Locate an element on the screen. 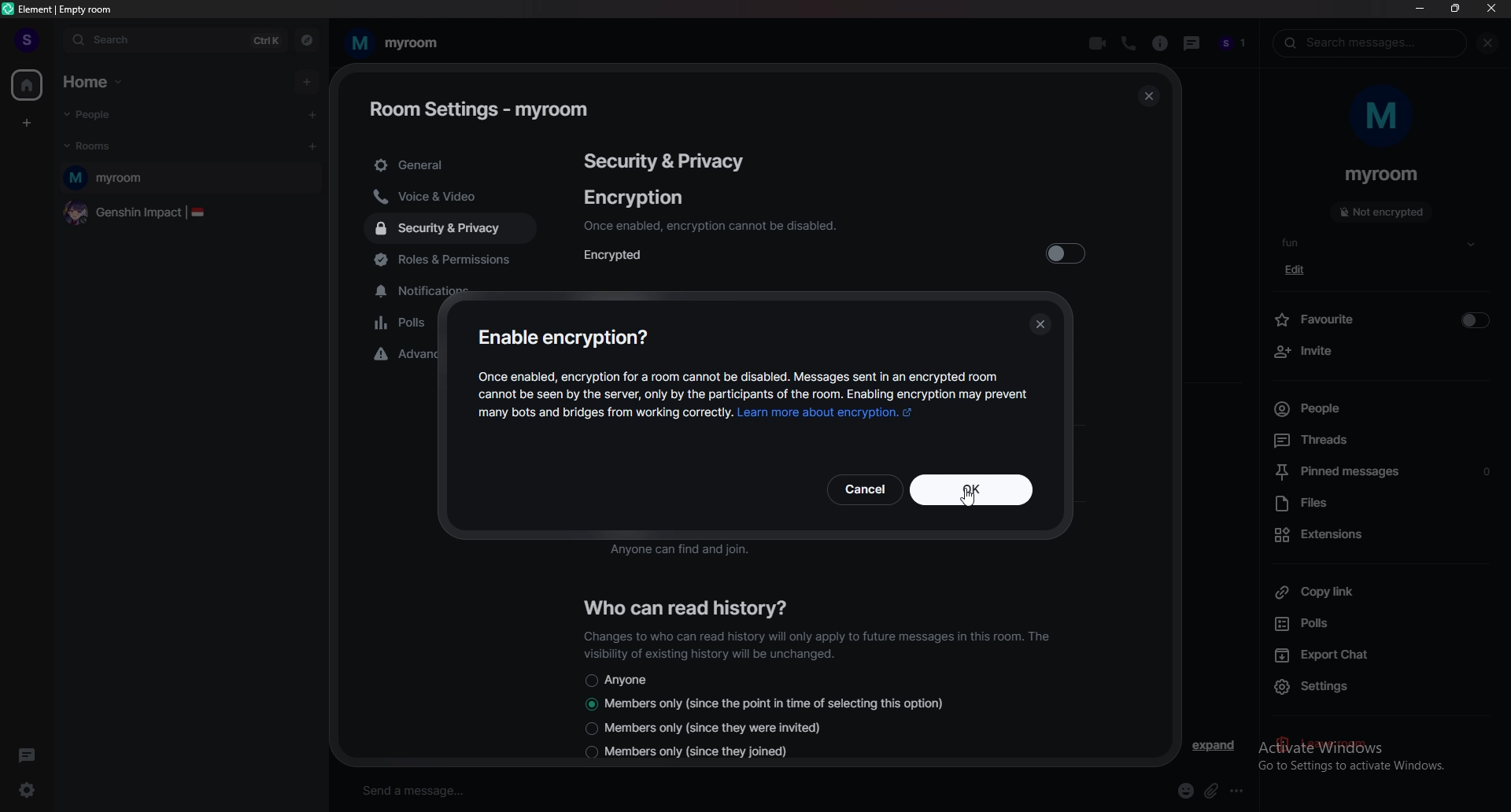 The width and height of the screenshot is (1511, 812). encrypted is located at coordinates (623, 254).